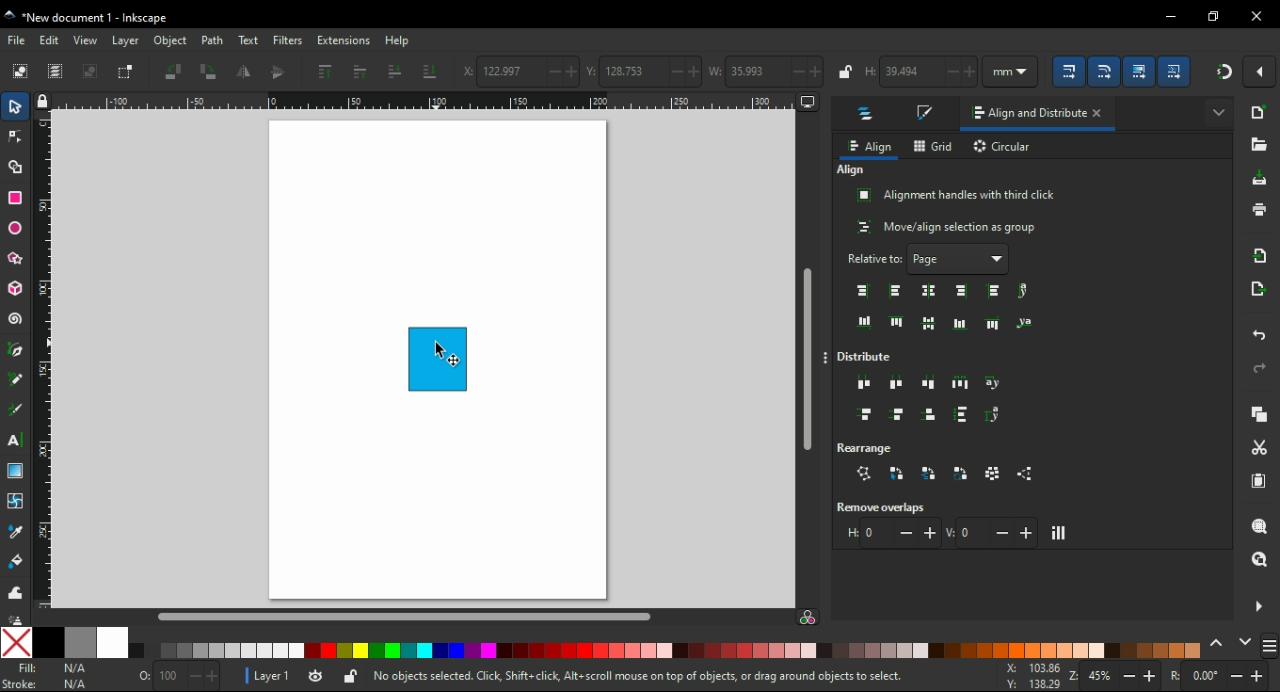  I want to click on scroll bar, so click(808, 359).